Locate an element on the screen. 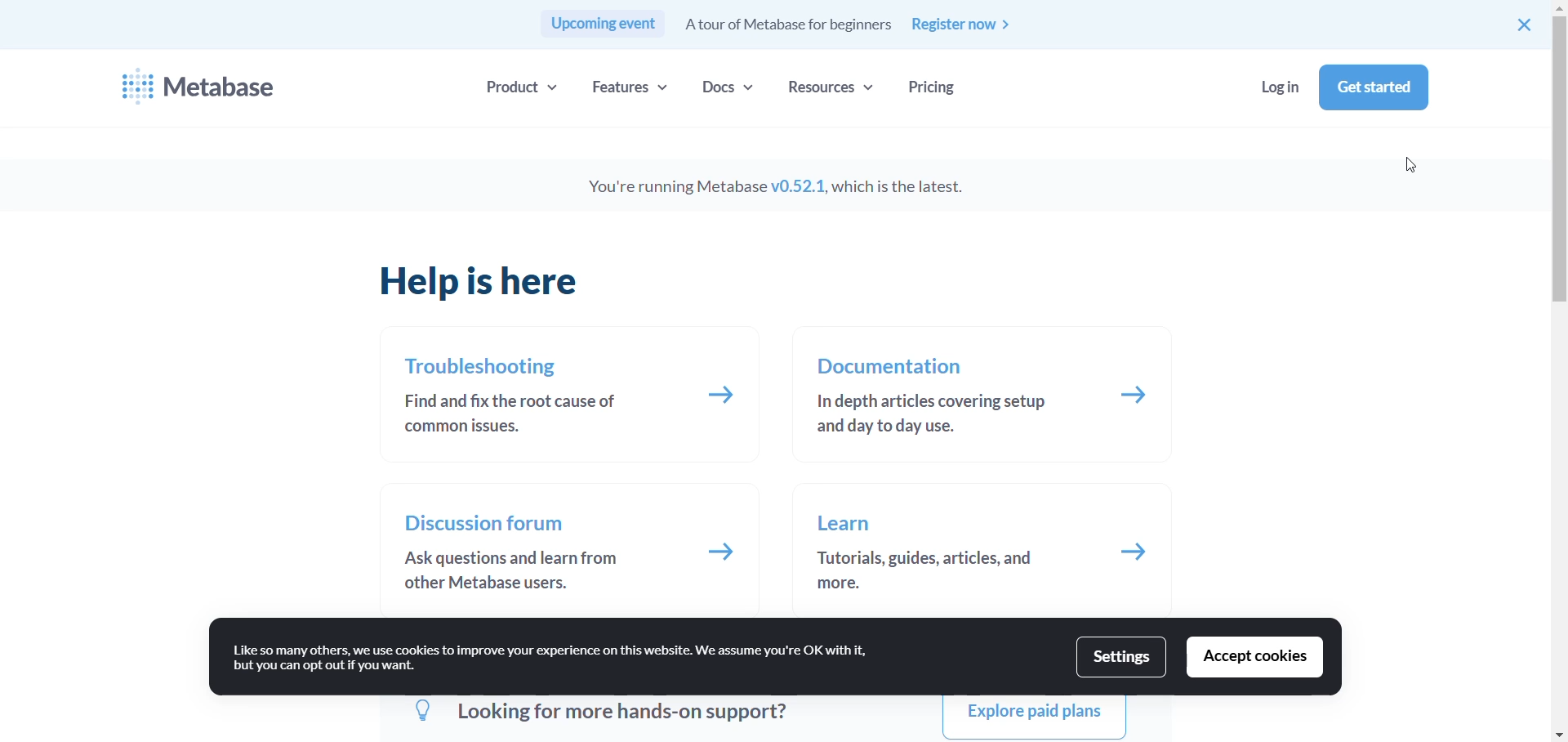 The height and width of the screenshot is (742, 1568). looking for more hands-on support is located at coordinates (596, 714).